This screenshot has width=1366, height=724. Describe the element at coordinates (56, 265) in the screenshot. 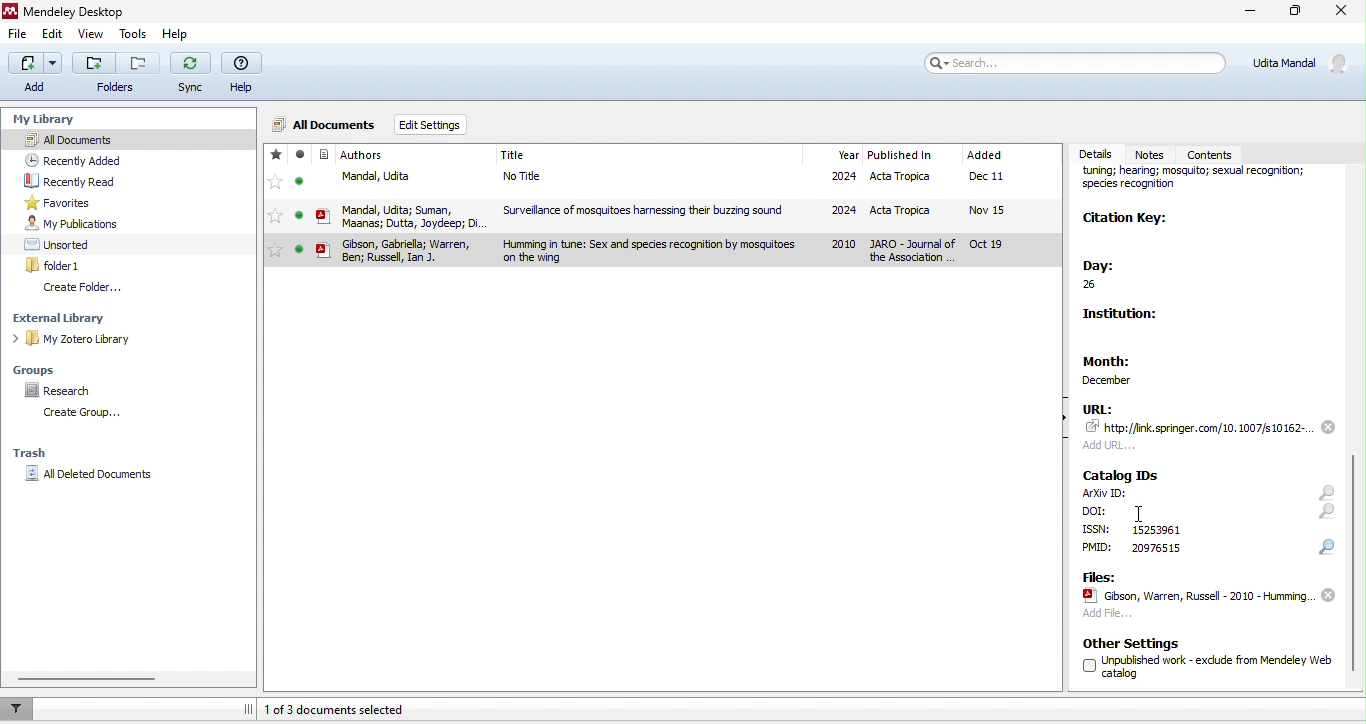

I see `folder 1` at that location.